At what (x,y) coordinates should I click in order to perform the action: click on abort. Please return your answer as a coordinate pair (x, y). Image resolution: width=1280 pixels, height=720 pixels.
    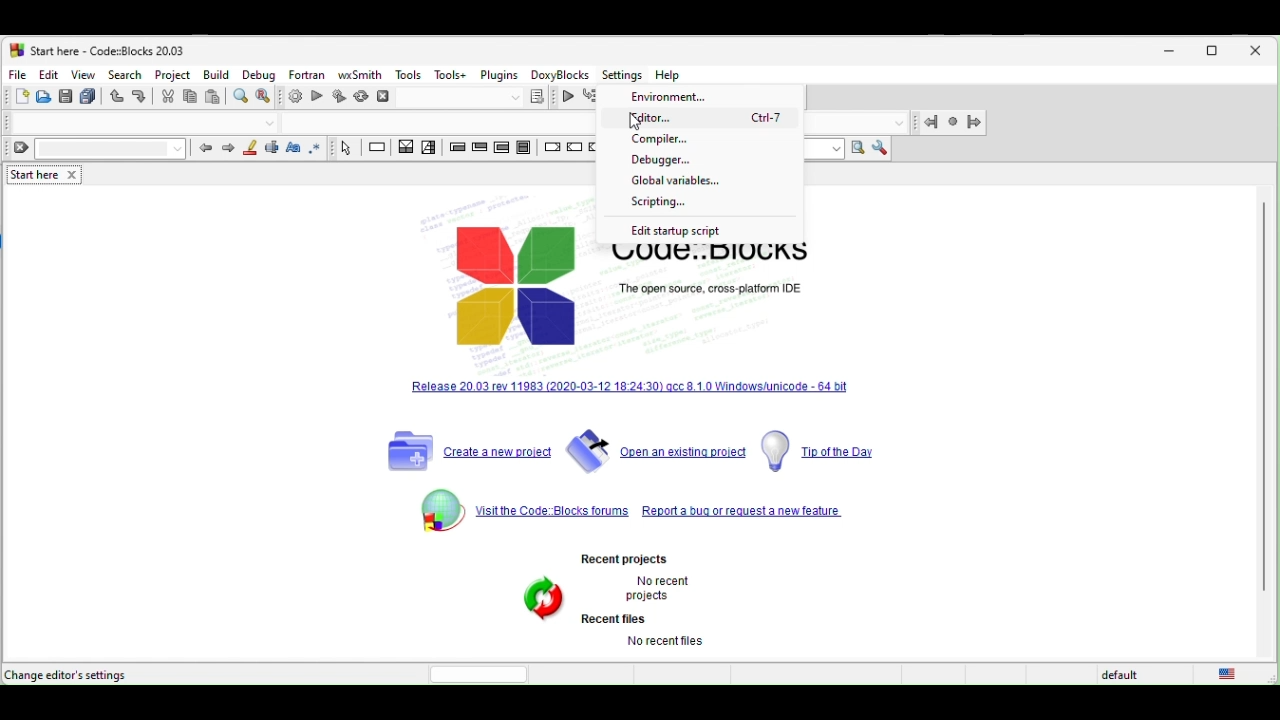
    Looking at the image, I should click on (384, 96).